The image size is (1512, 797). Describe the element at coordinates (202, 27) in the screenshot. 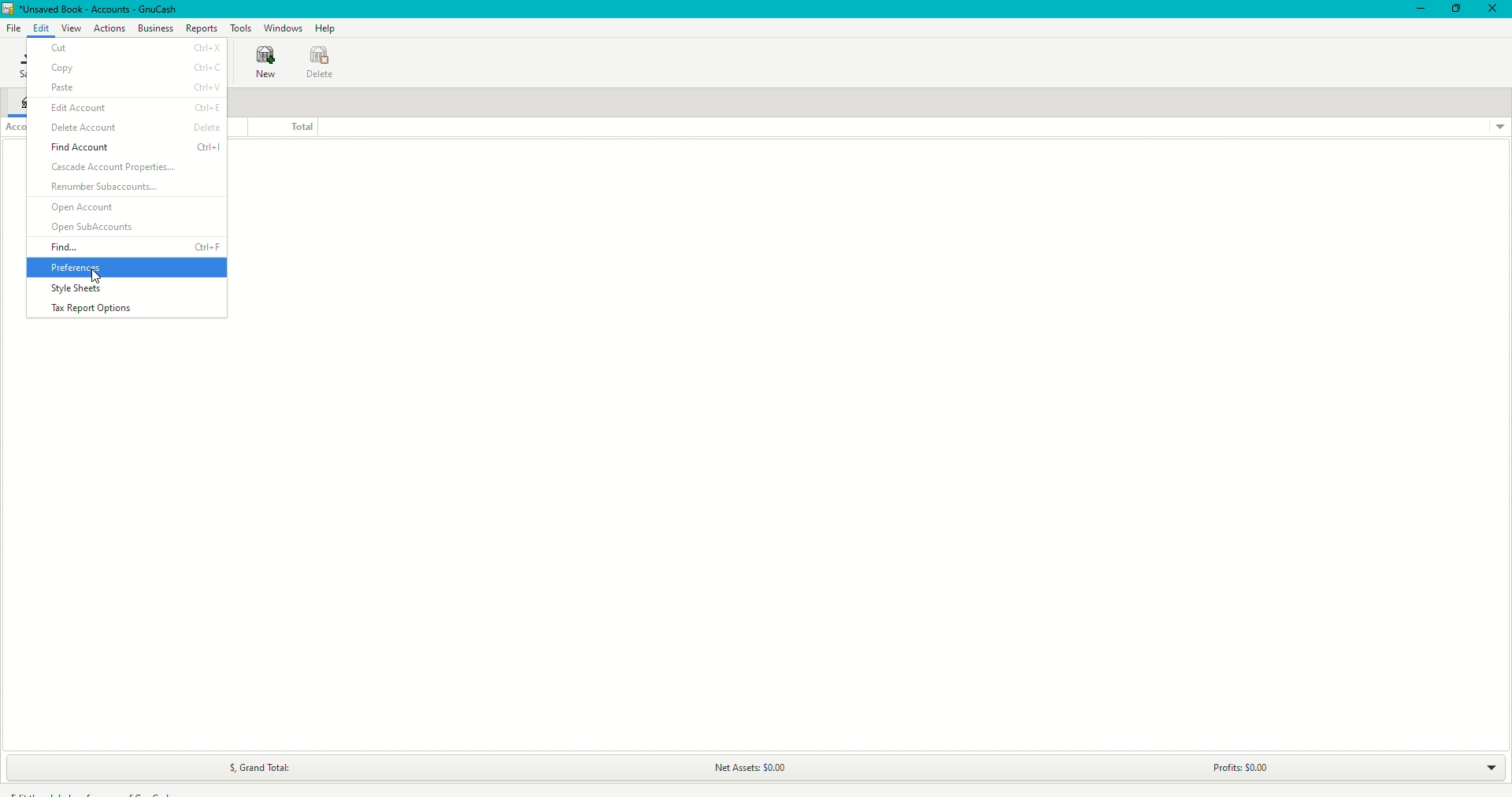

I see `Reports` at that location.